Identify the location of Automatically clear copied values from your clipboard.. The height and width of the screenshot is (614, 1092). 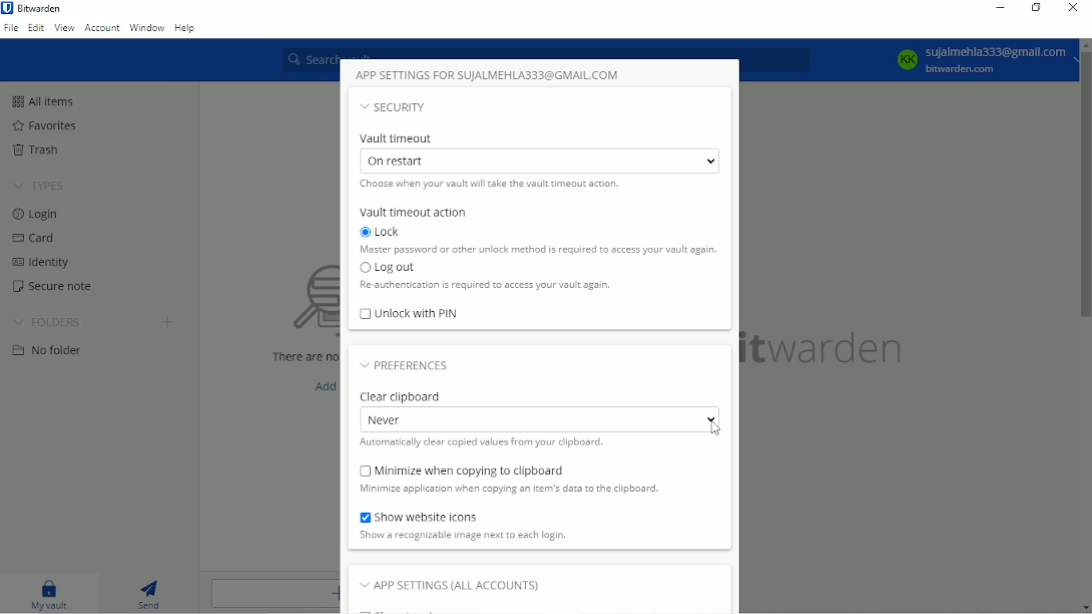
(481, 443).